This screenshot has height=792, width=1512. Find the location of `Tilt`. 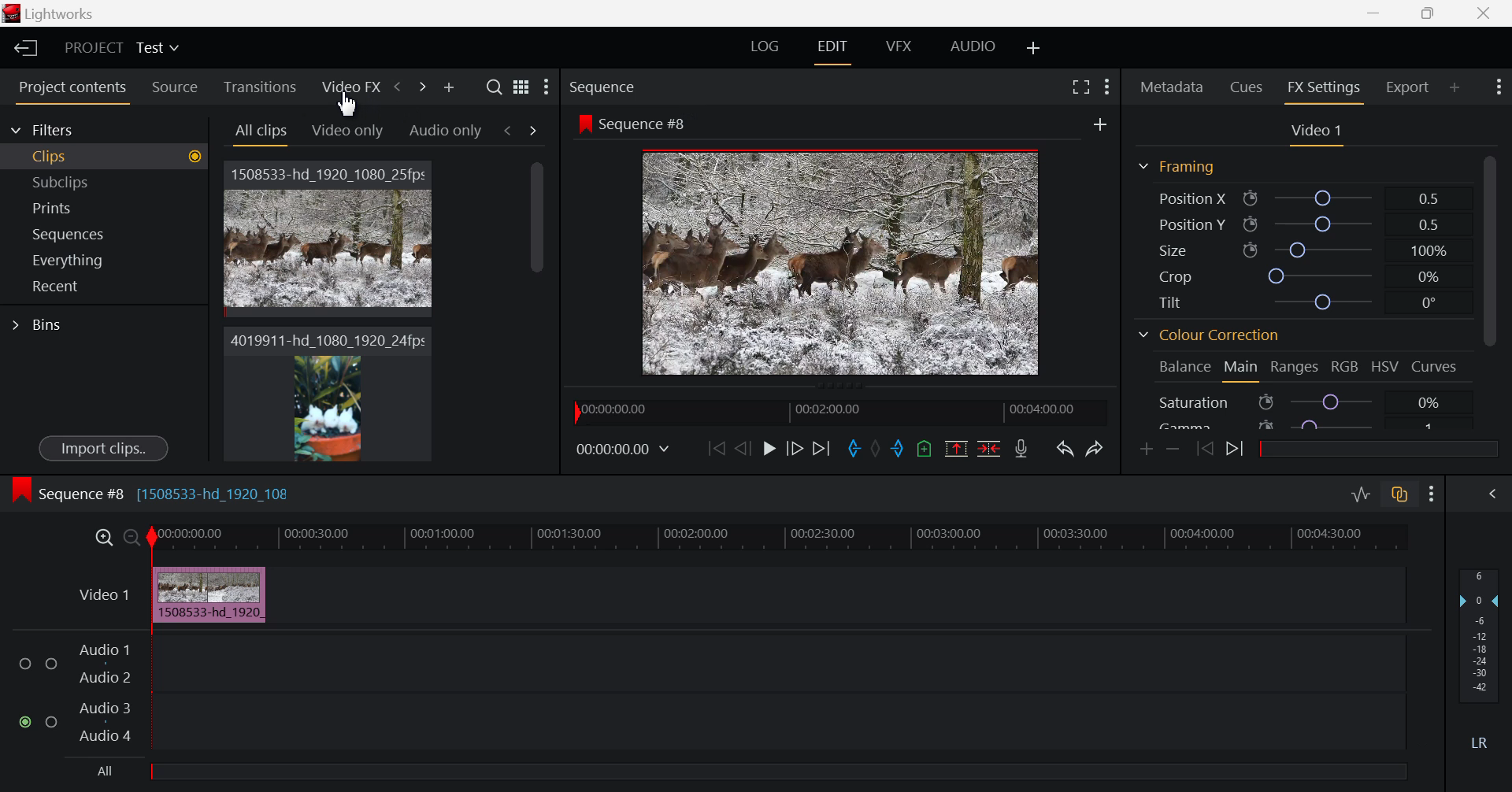

Tilt is located at coordinates (1303, 301).